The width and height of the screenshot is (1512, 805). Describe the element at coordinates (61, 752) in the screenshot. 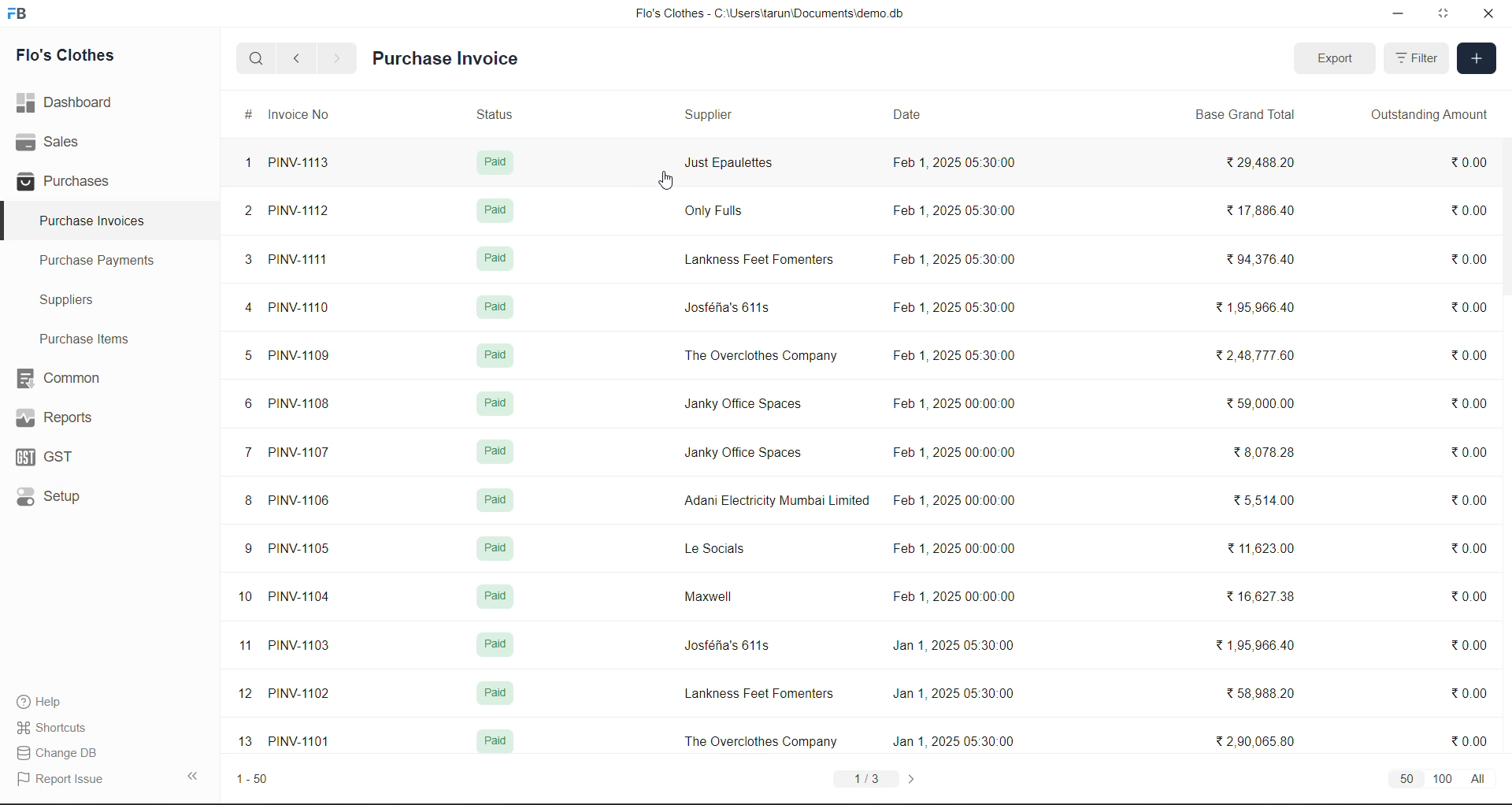

I see `| Change DB` at that location.